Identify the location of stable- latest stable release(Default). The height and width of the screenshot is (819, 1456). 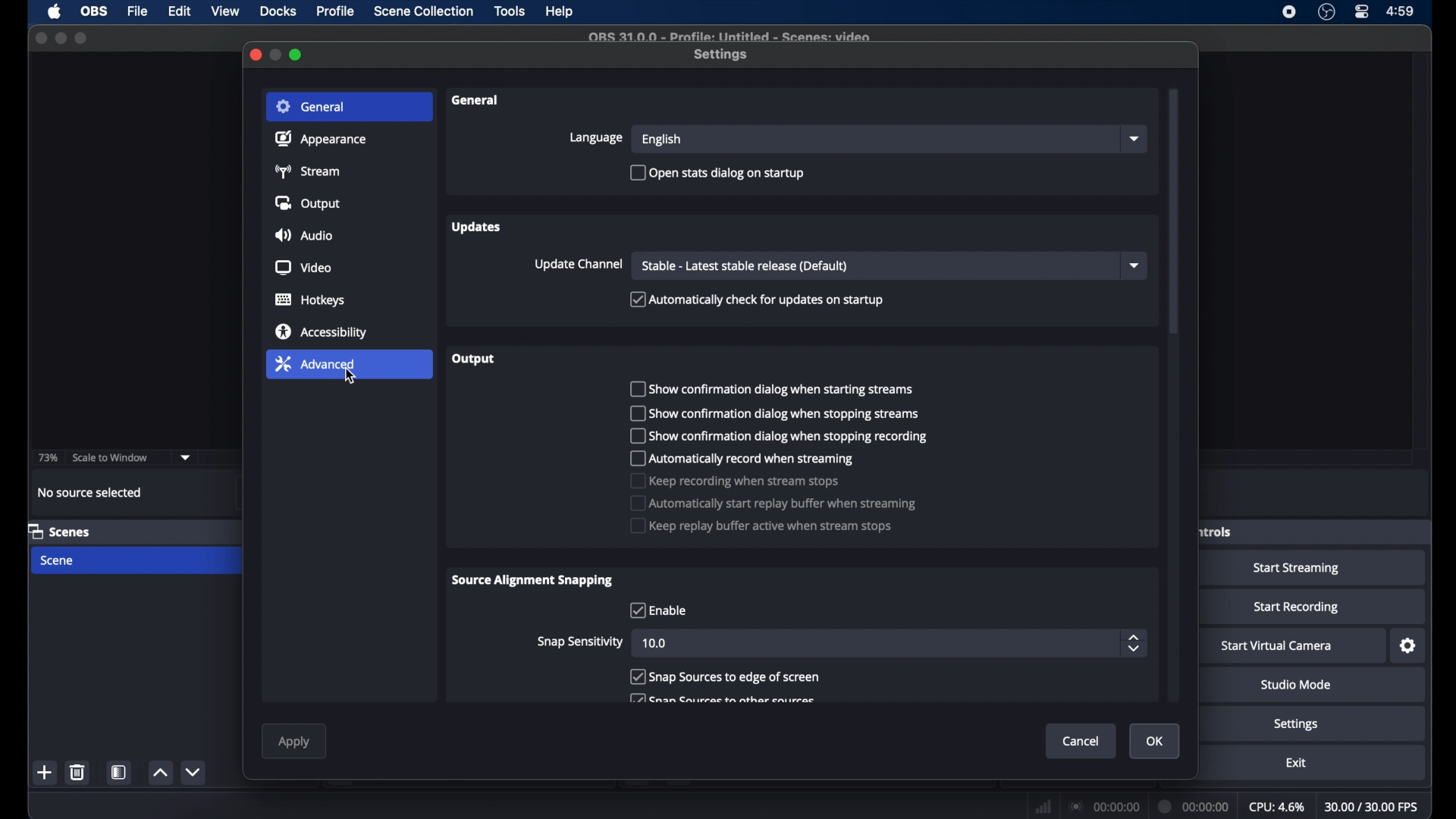
(745, 266).